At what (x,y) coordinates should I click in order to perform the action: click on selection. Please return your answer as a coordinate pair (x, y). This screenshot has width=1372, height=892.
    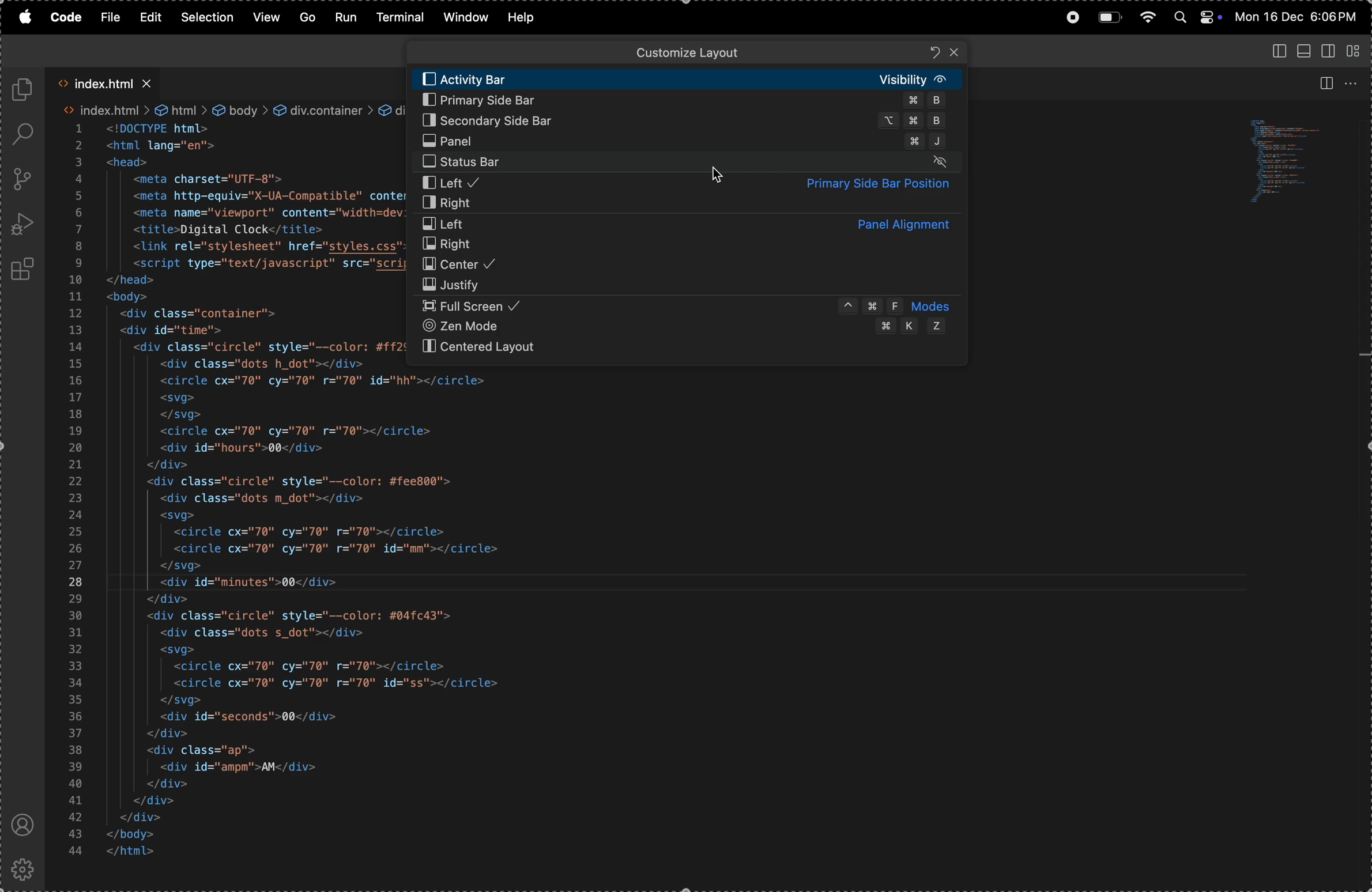
    Looking at the image, I should click on (206, 17).